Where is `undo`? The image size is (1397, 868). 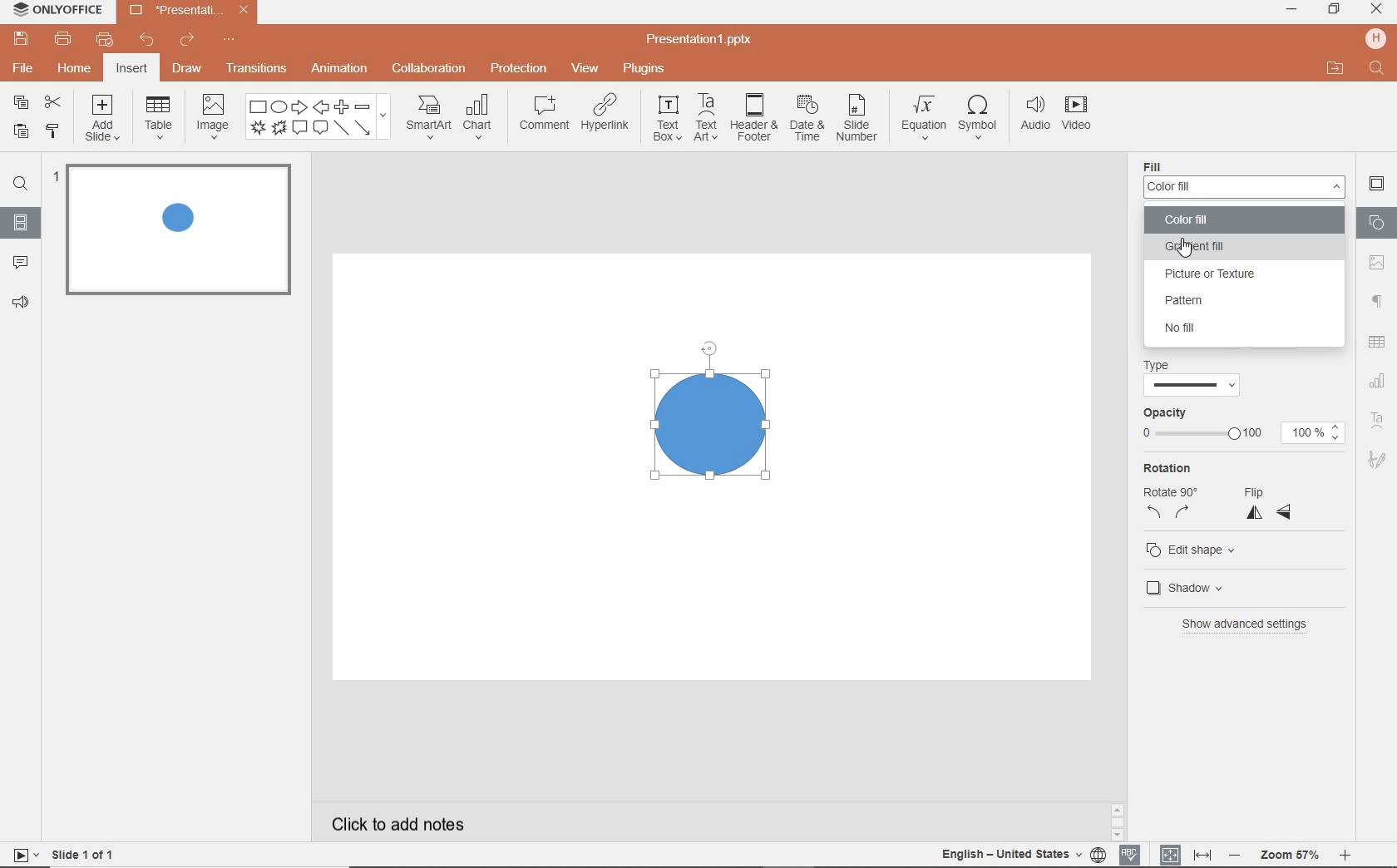
undo is located at coordinates (149, 41).